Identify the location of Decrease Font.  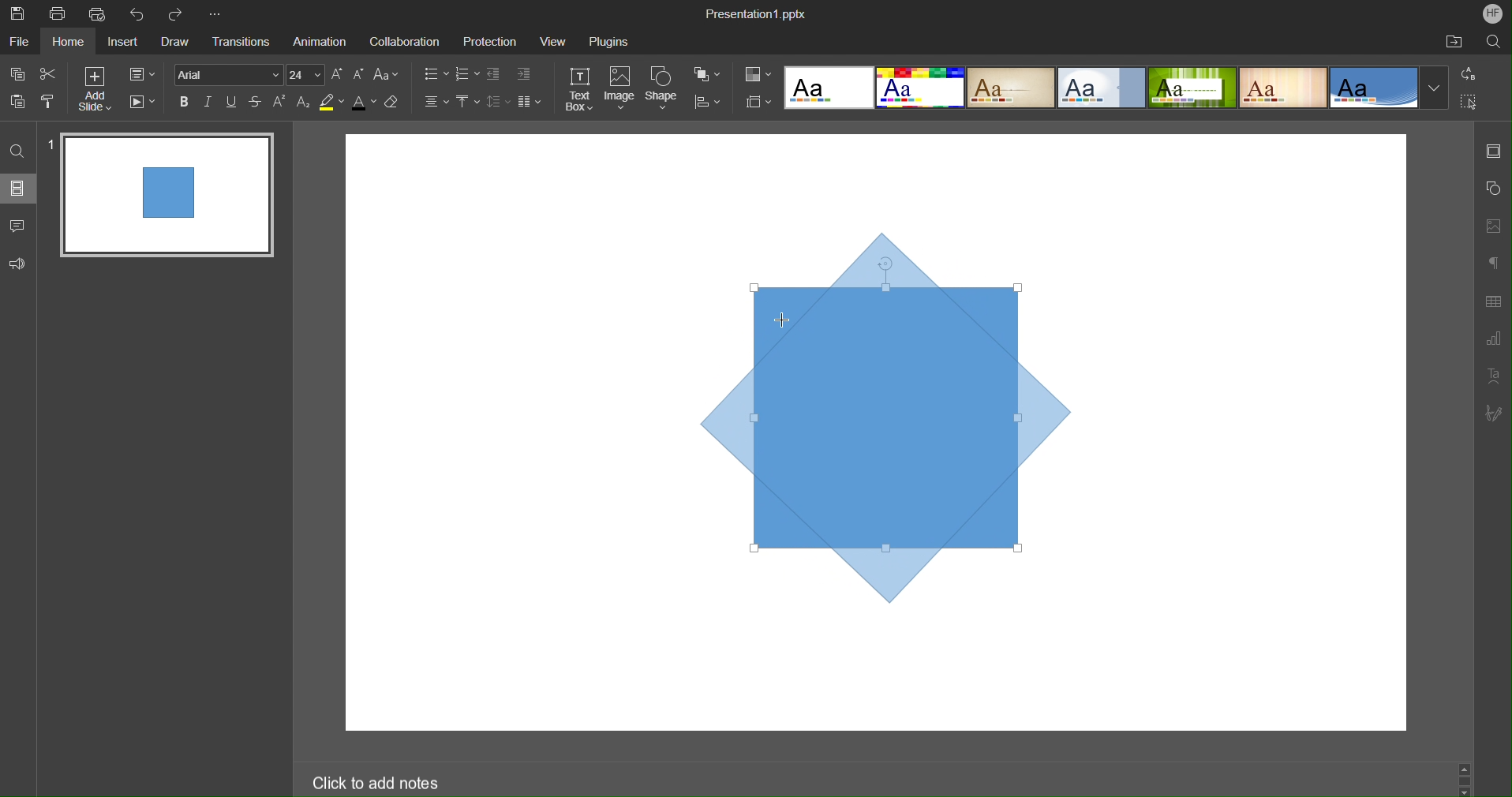
(358, 76).